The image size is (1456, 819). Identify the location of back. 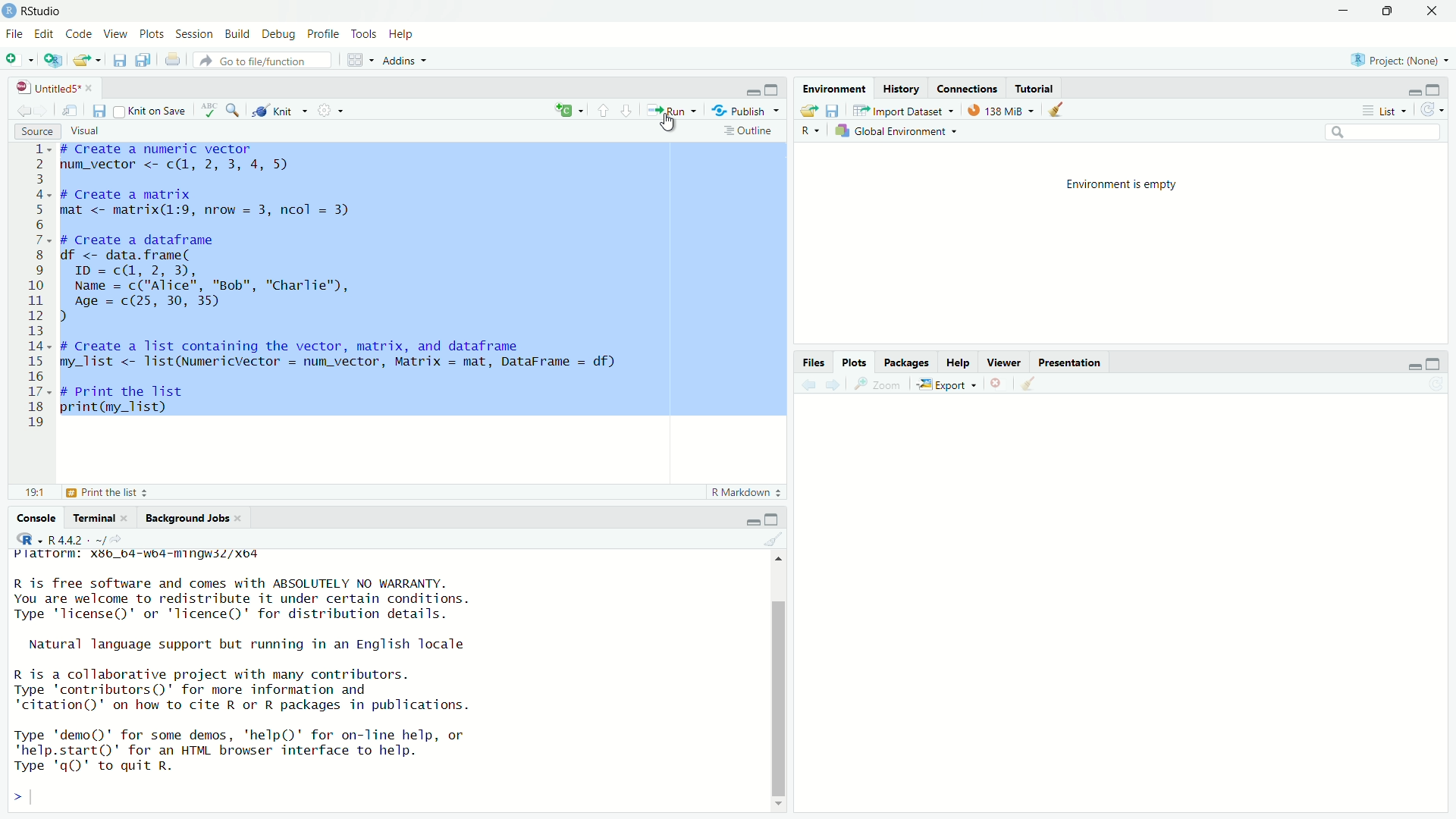
(810, 388).